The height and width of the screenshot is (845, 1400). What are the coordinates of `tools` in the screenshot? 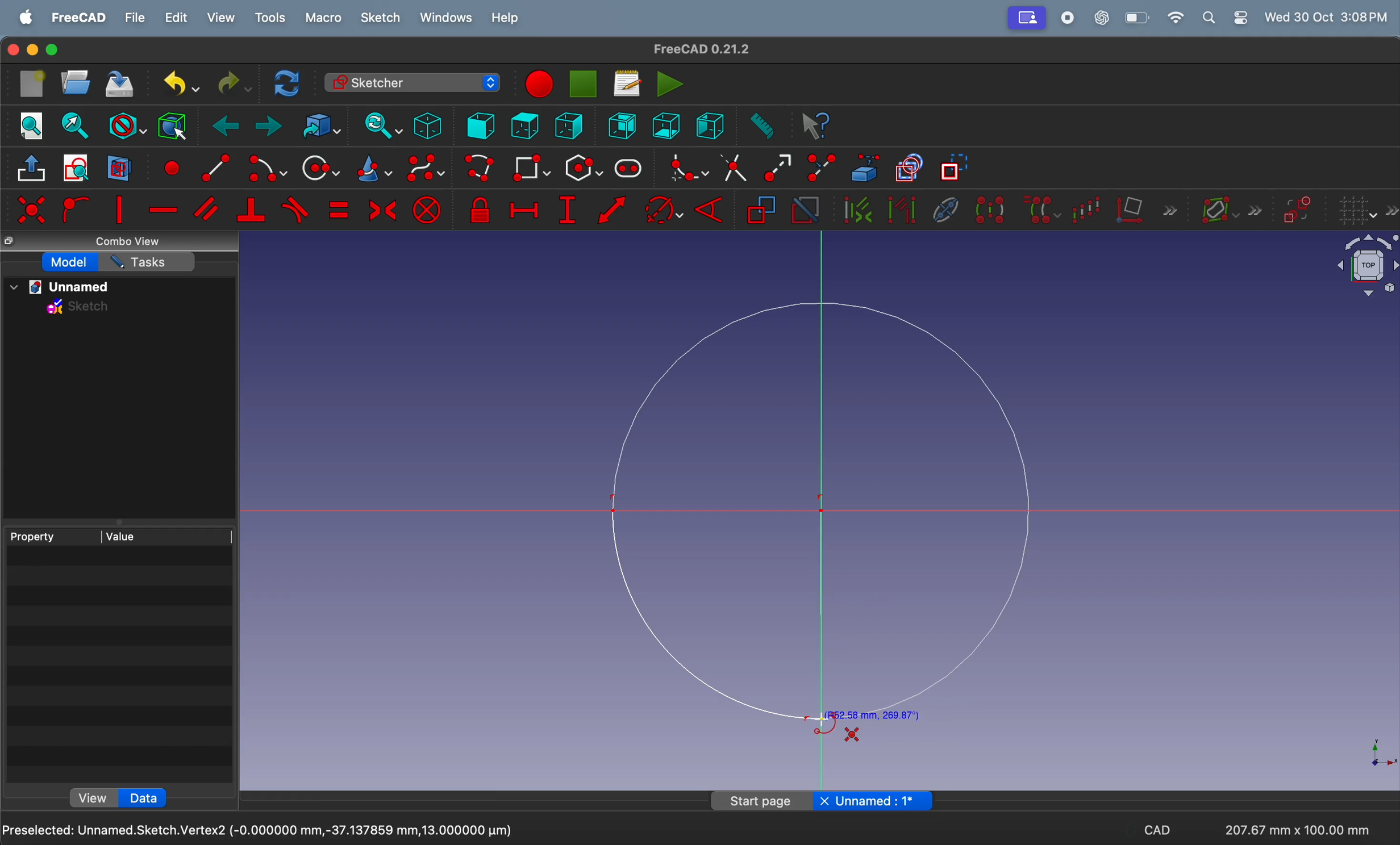 It's located at (273, 18).